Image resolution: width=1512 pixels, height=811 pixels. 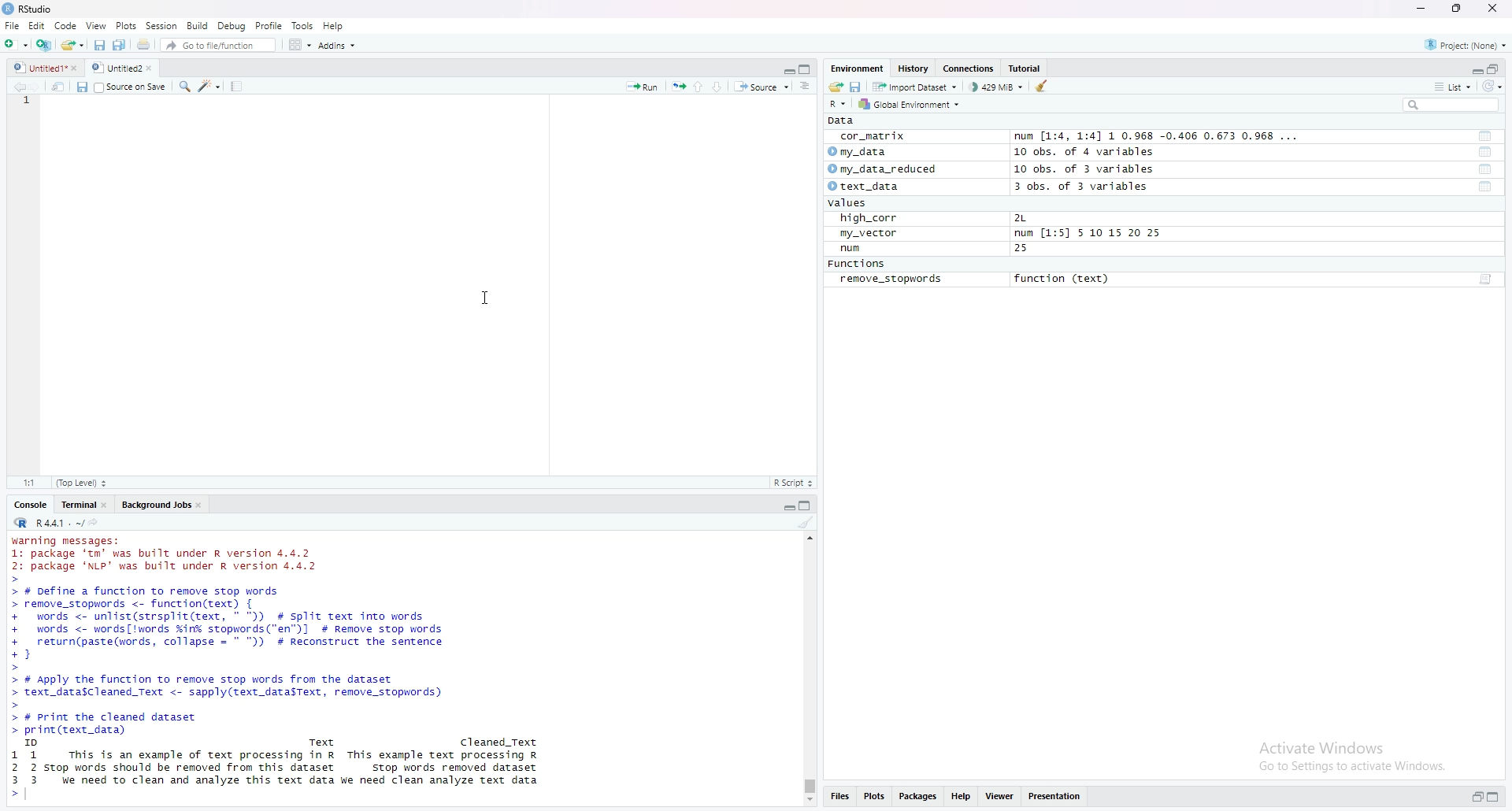 I want to click on 10 obs. of 4 variables, so click(x=1089, y=153).